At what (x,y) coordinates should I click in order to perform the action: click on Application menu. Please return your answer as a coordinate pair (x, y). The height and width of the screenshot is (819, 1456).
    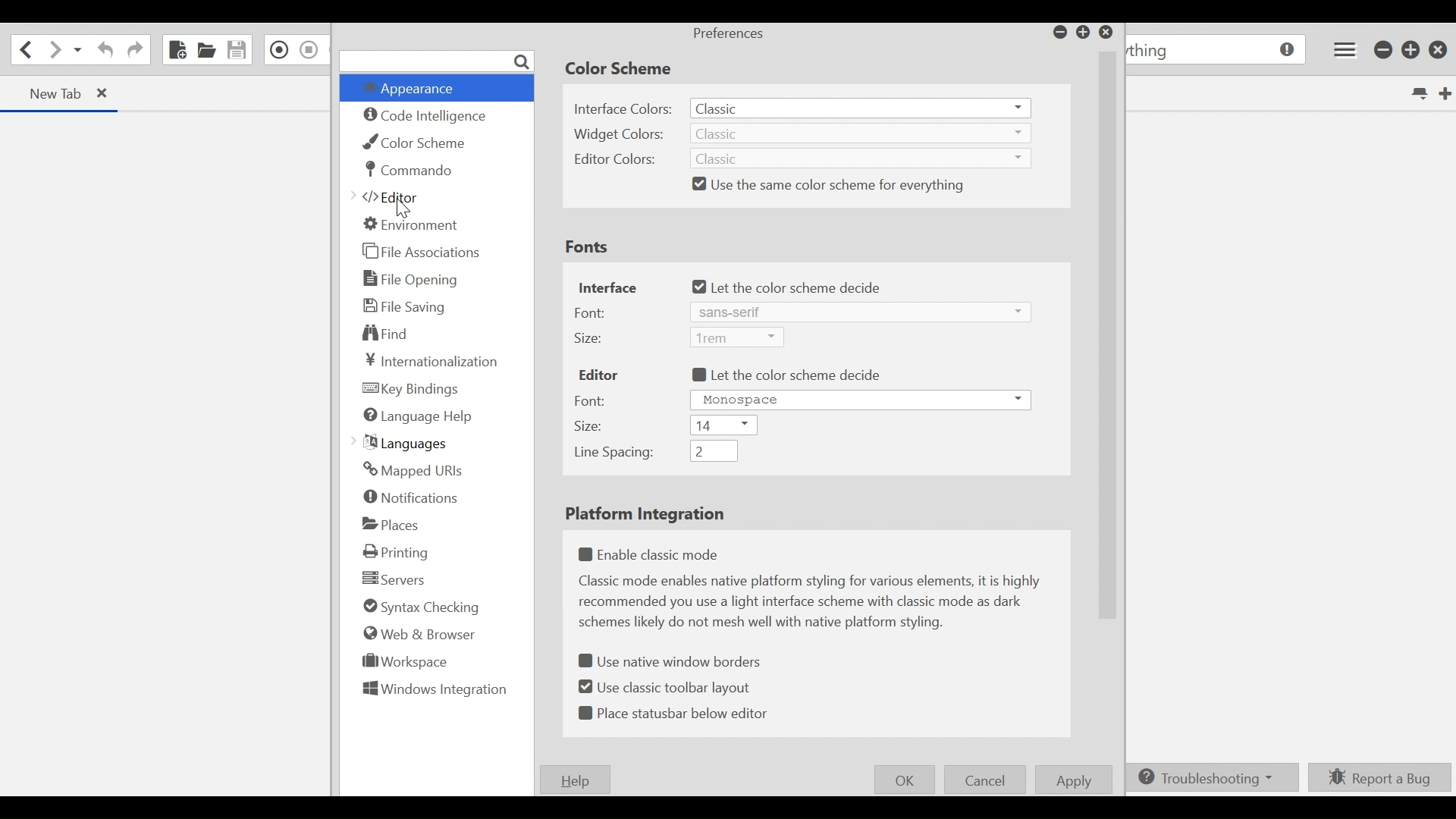
    Looking at the image, I should click on (1341, 50).